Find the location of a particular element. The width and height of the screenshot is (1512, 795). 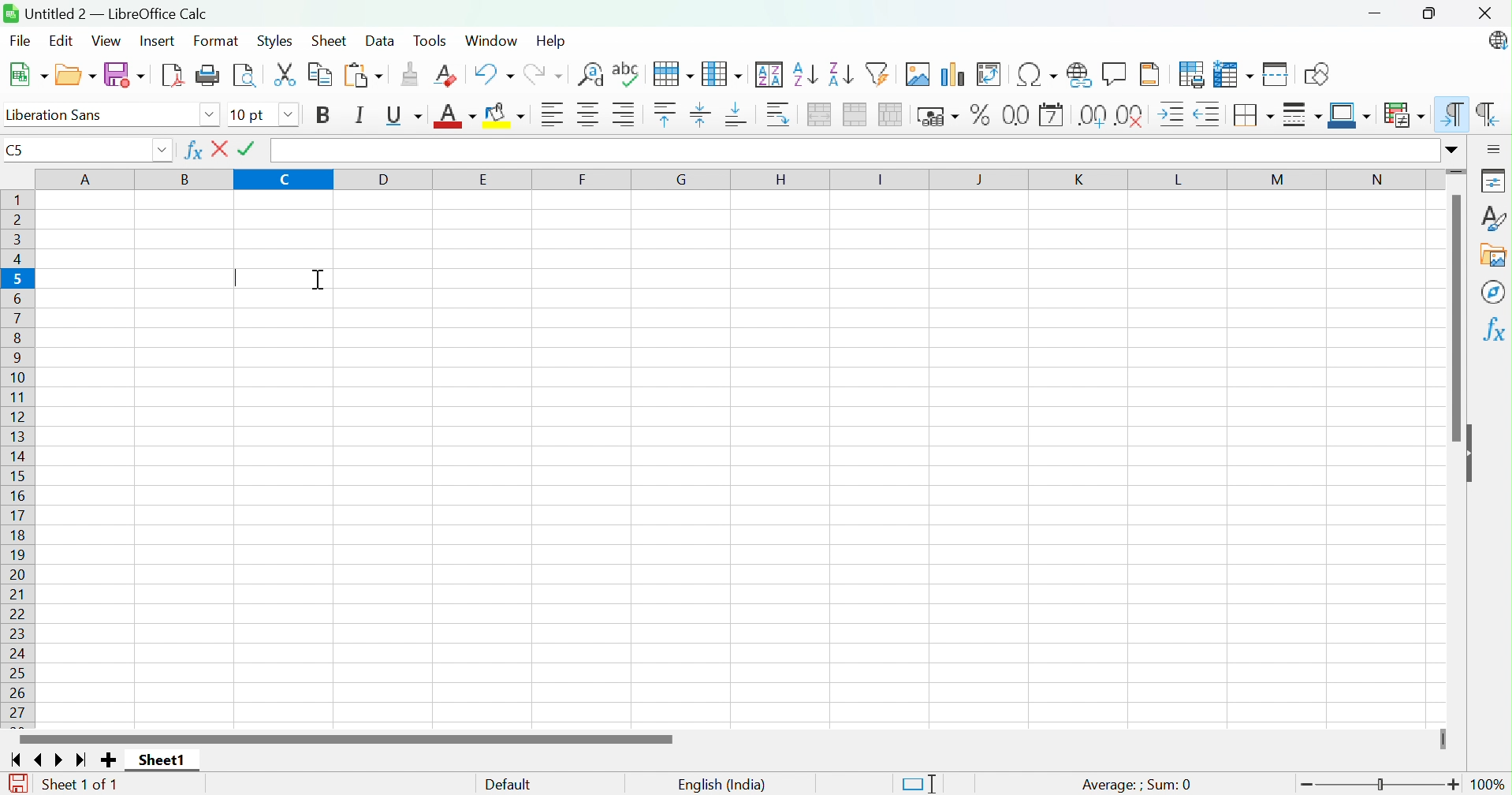

Untitled 2 - LibreOffice Calc is located at coordinates (106, 13).